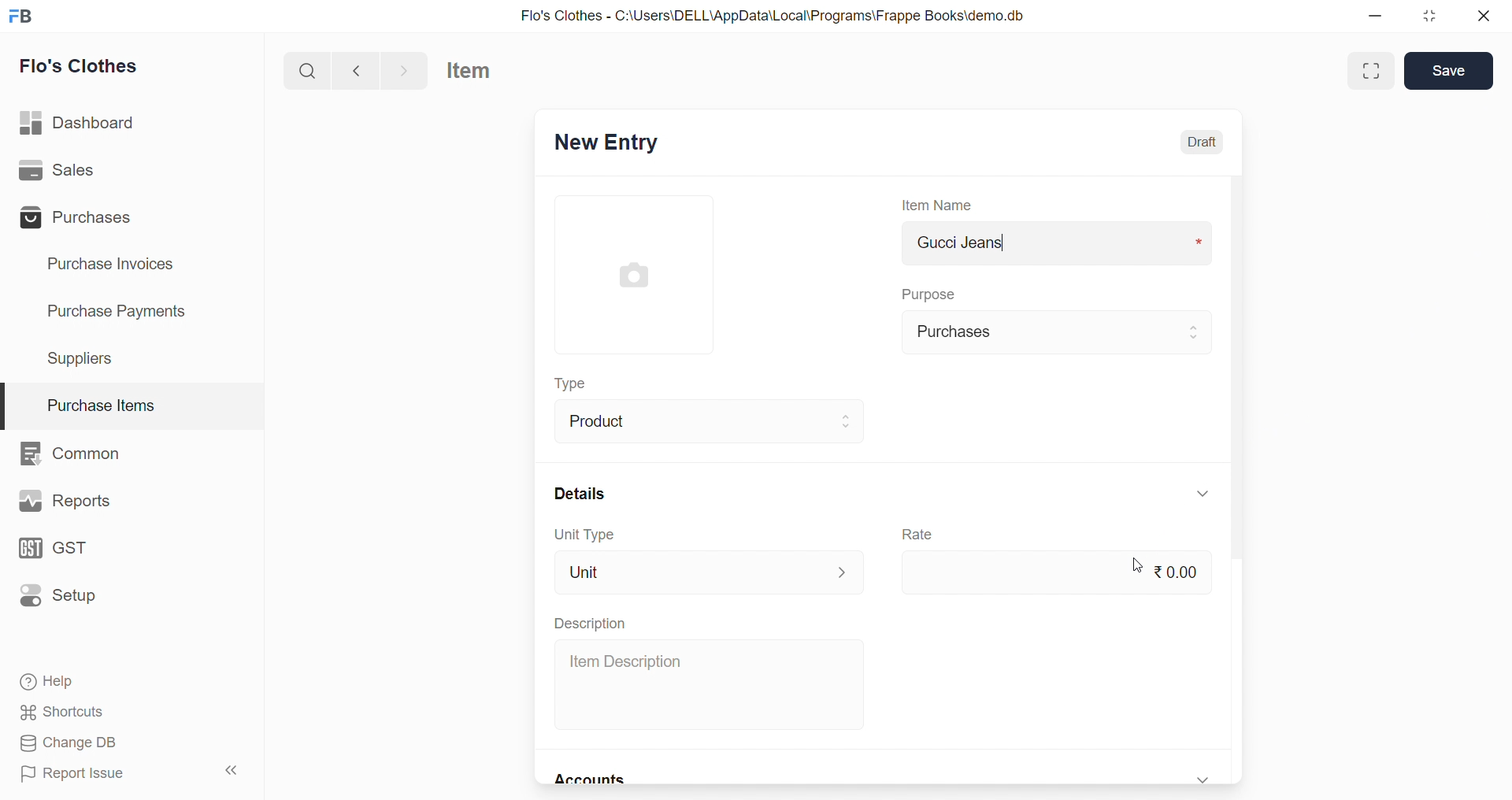 This screenshot has width=1512, height=800. What do you see at coordinates (132, 401) in the screenshot?
I see `Purchase Items` at bounding box center [132, 401].